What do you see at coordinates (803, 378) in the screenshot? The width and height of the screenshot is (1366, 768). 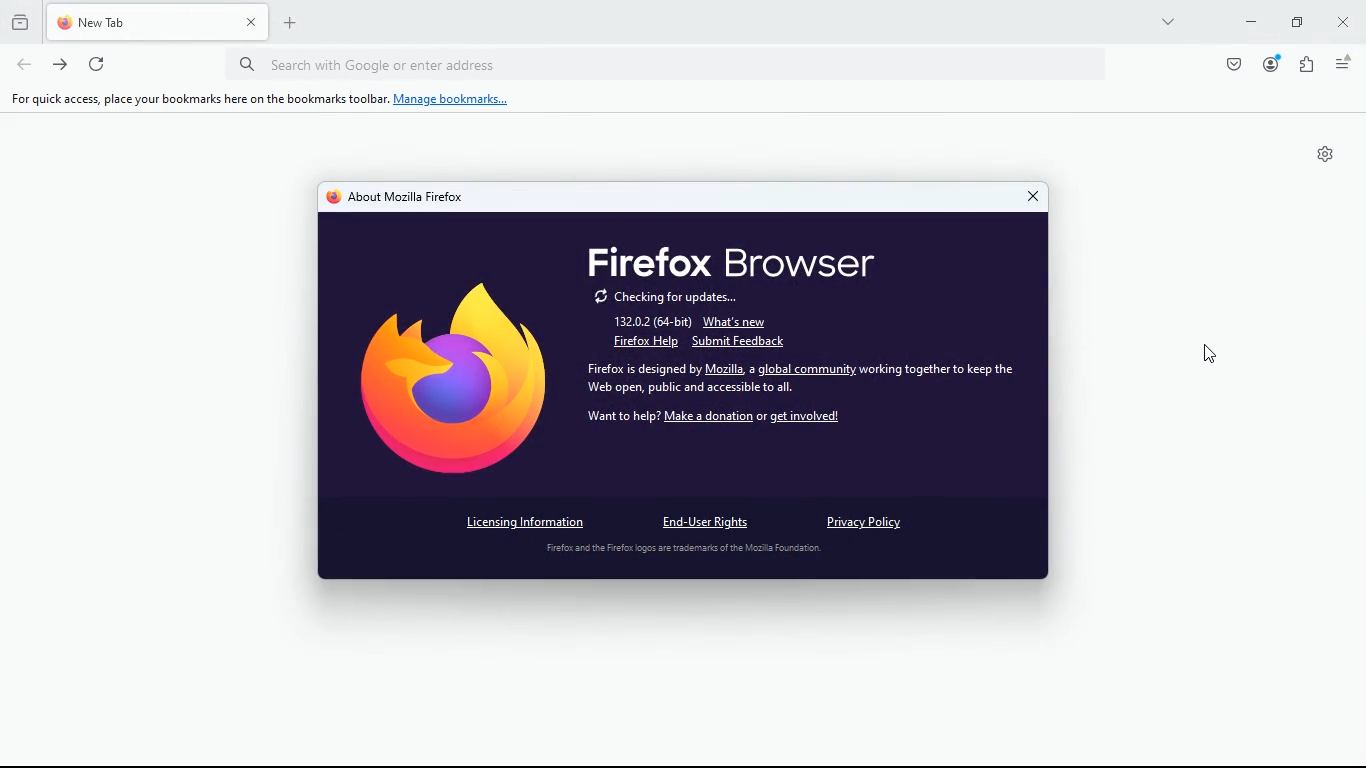 I see `Firefox is designed by Mozilla, a global community working together to keep the
Wel phe bic oad socal th i` at bounding box center [803, 378].